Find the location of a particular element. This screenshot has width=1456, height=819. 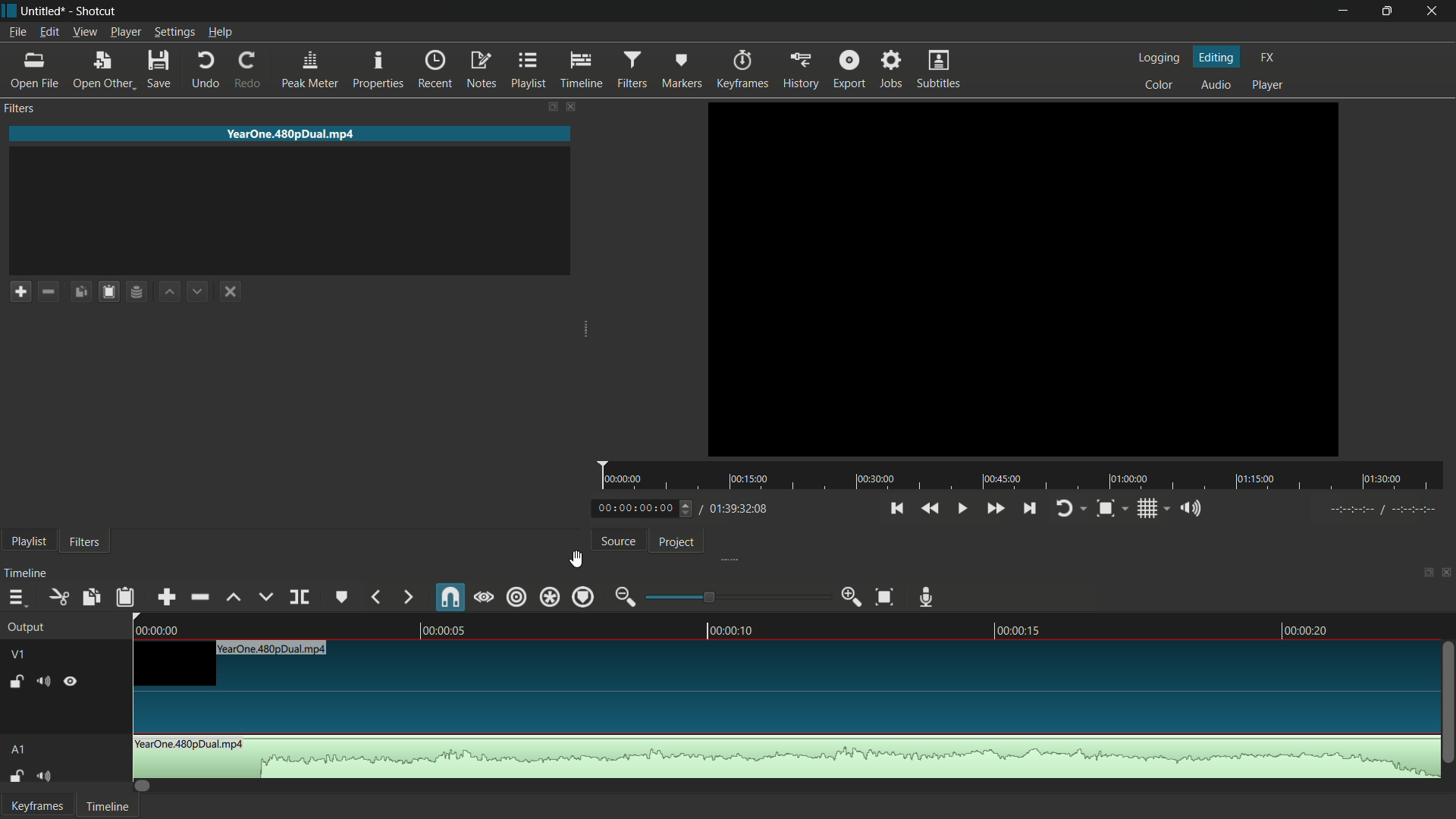

ripple delete is located at coordinates (199, 598).